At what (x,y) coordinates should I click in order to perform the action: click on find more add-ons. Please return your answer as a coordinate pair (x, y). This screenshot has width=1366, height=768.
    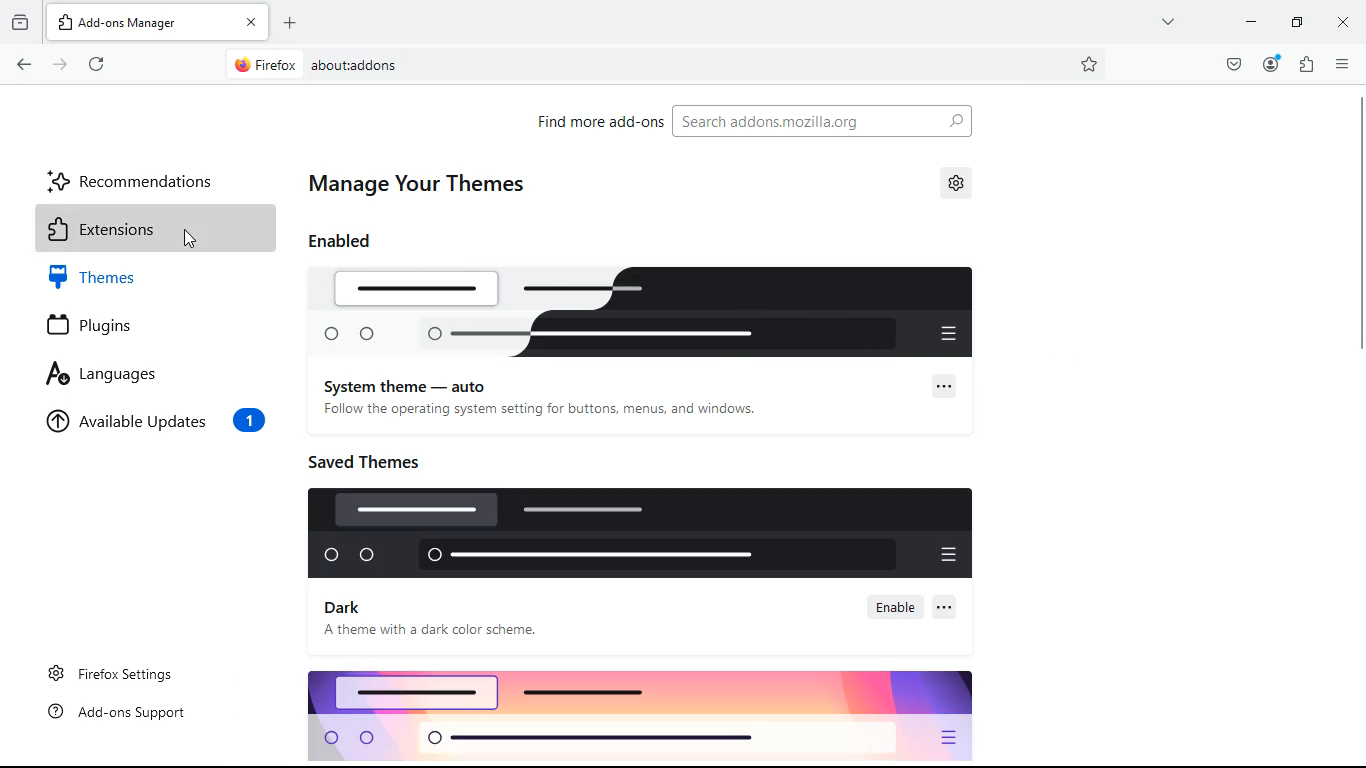
    Looking at the image, I should click on (597, 126).